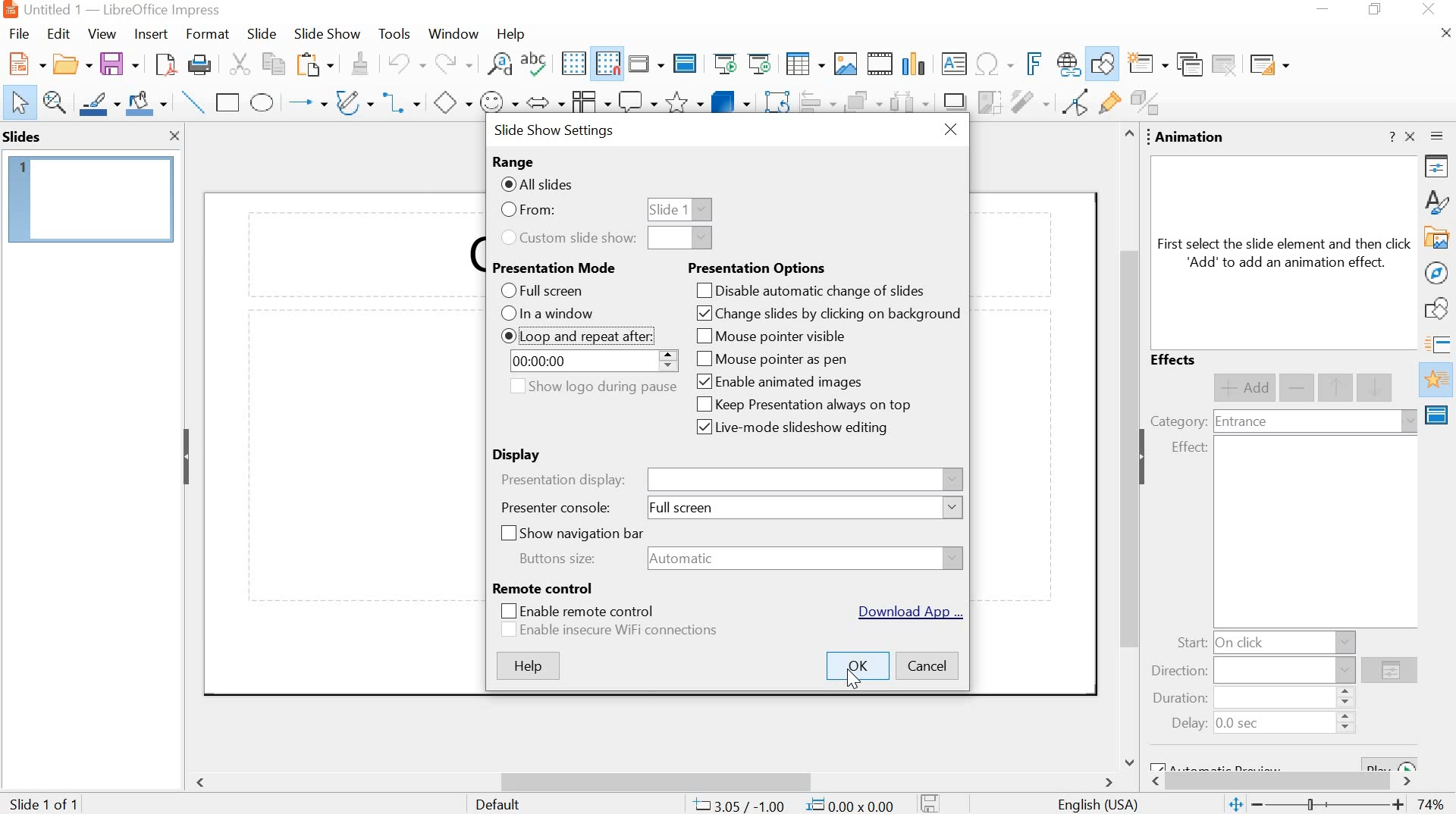 Image resolution: width=1456 pixels, height=814 pixels. Describe the element at coordinates (917, 63) in the screenshot. I see `insert chart` at that location.